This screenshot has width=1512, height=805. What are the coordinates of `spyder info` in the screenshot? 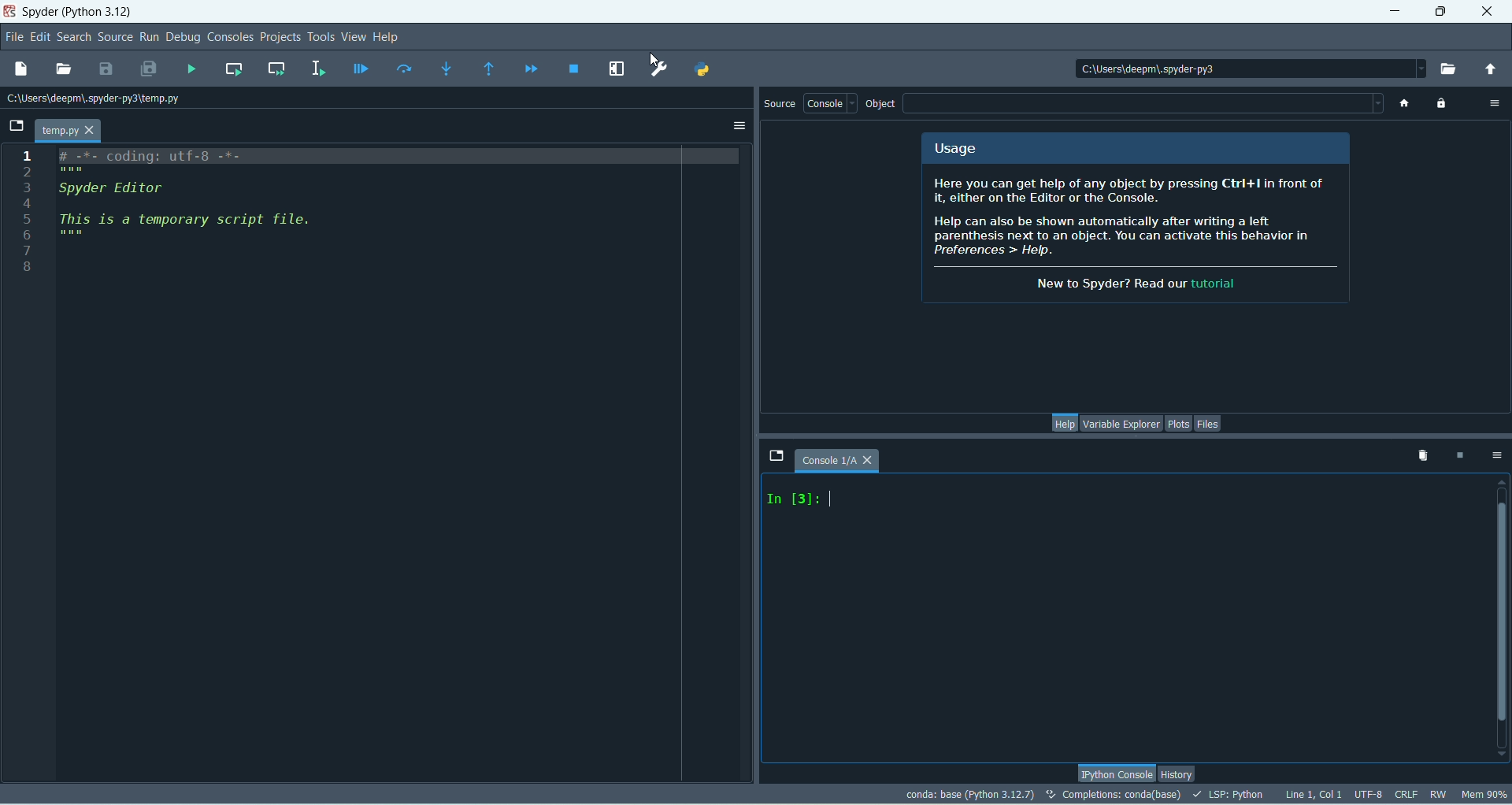 It's located at (1138, 236).